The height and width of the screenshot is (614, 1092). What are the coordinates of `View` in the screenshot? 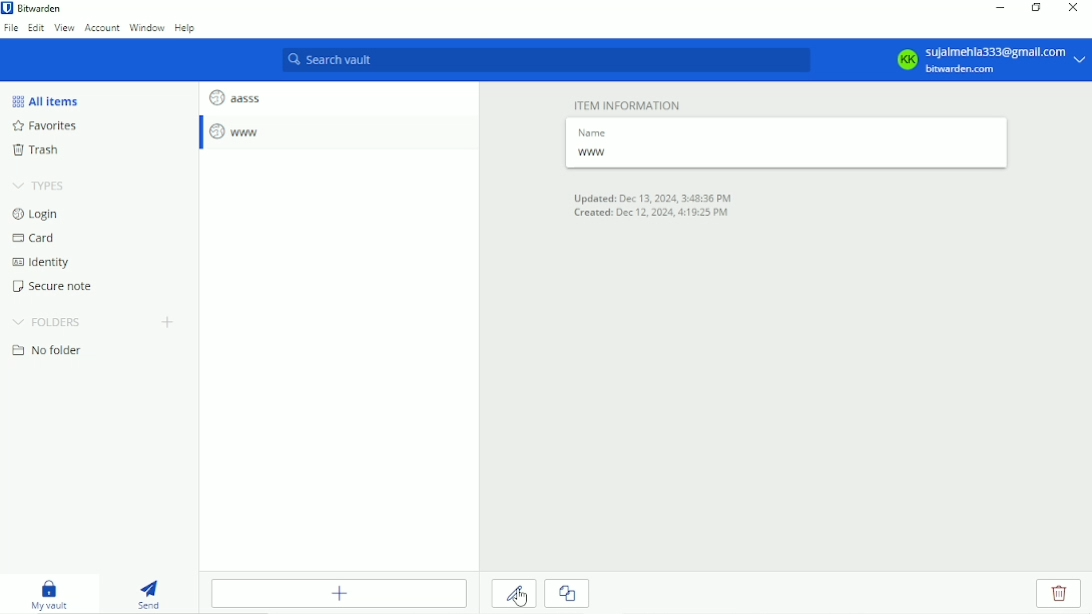 It's located at (65, 29).